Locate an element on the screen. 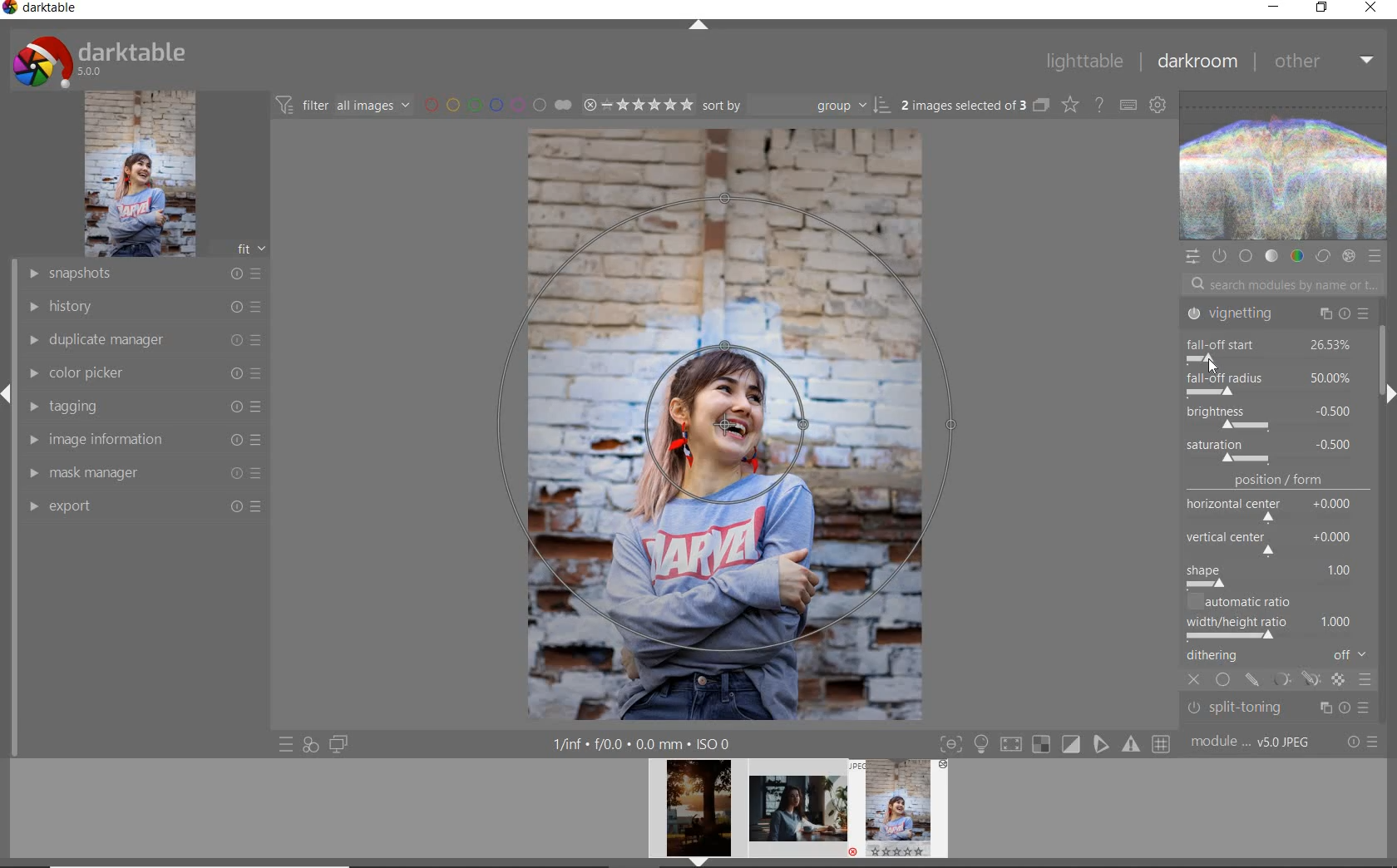 This screenshot has width=1397, height=868. filter image is located at coordinates (343, 104).